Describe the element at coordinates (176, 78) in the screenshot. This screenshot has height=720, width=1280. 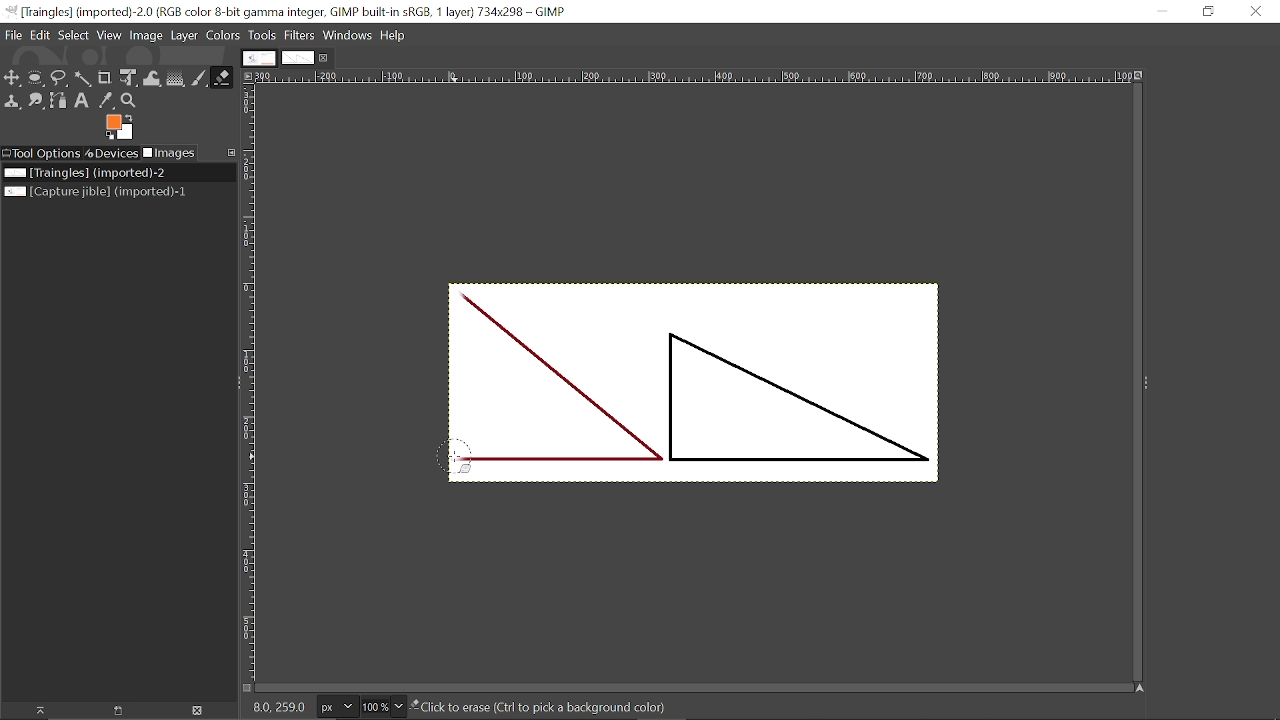
I see `Gradient tool` at that location.